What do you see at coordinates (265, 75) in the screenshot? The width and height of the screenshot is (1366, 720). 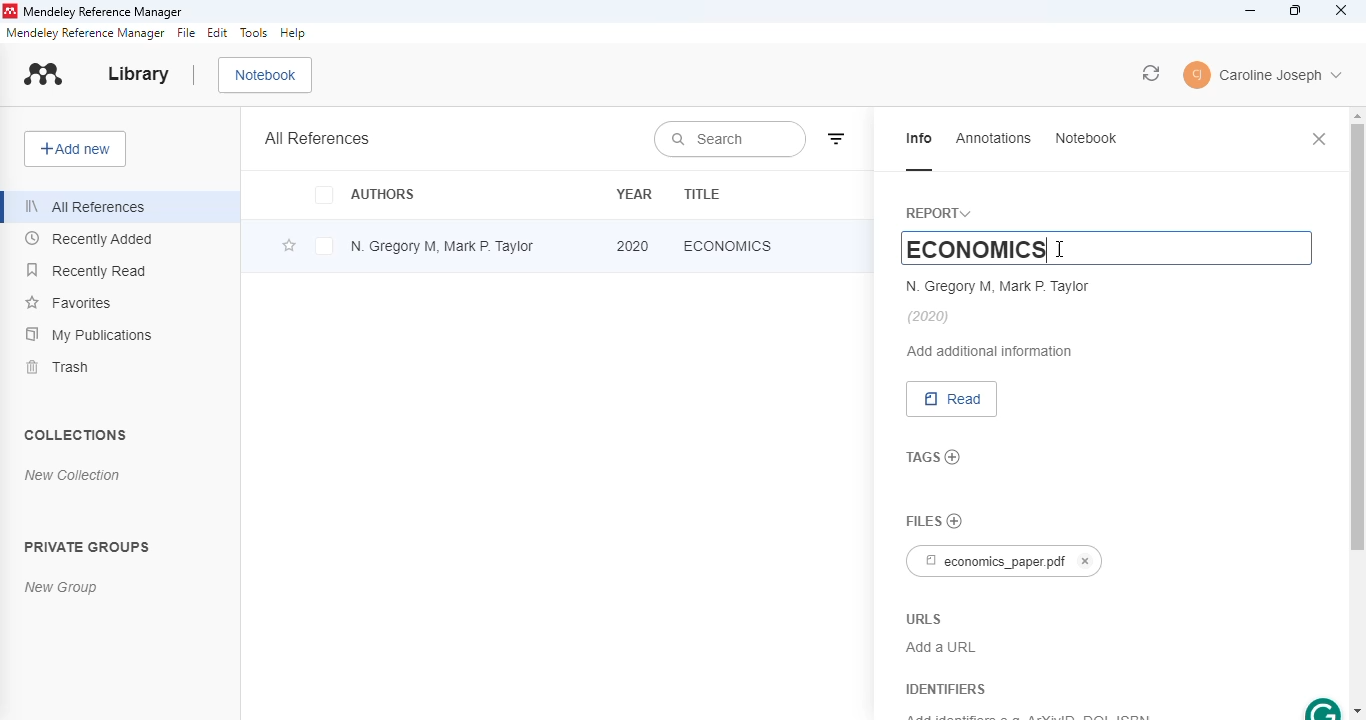 I see `notebook` at bounding box center [265, 75].